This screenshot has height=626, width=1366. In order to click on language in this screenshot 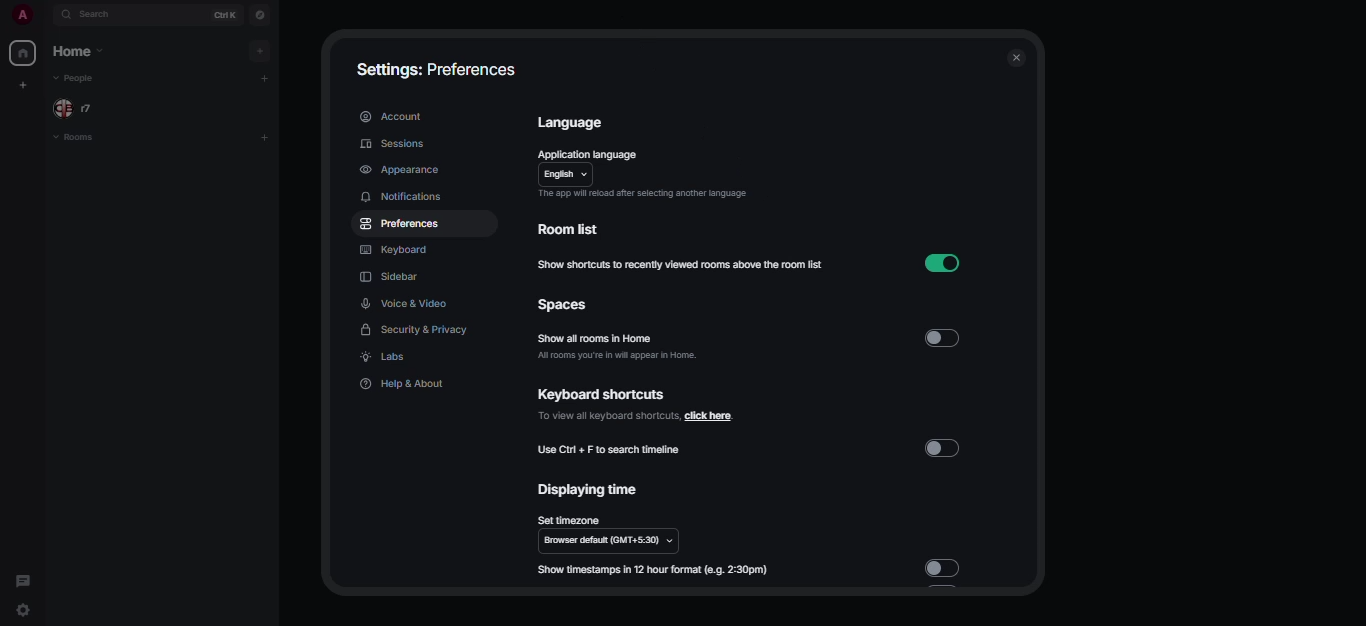, I will do `click(571, 121)`.